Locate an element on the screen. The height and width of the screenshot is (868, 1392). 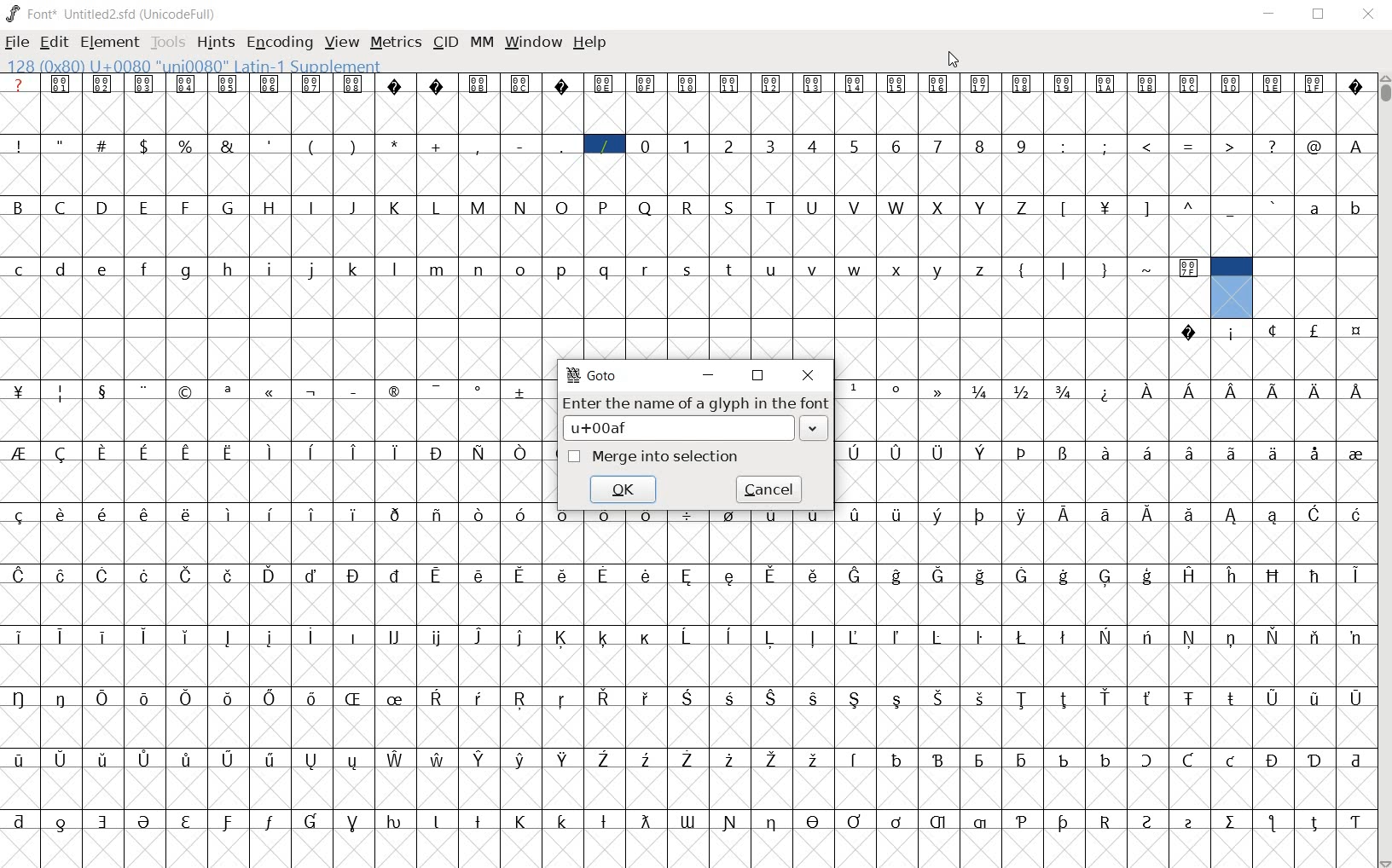
Symbol is located at coordinates (856, 821).